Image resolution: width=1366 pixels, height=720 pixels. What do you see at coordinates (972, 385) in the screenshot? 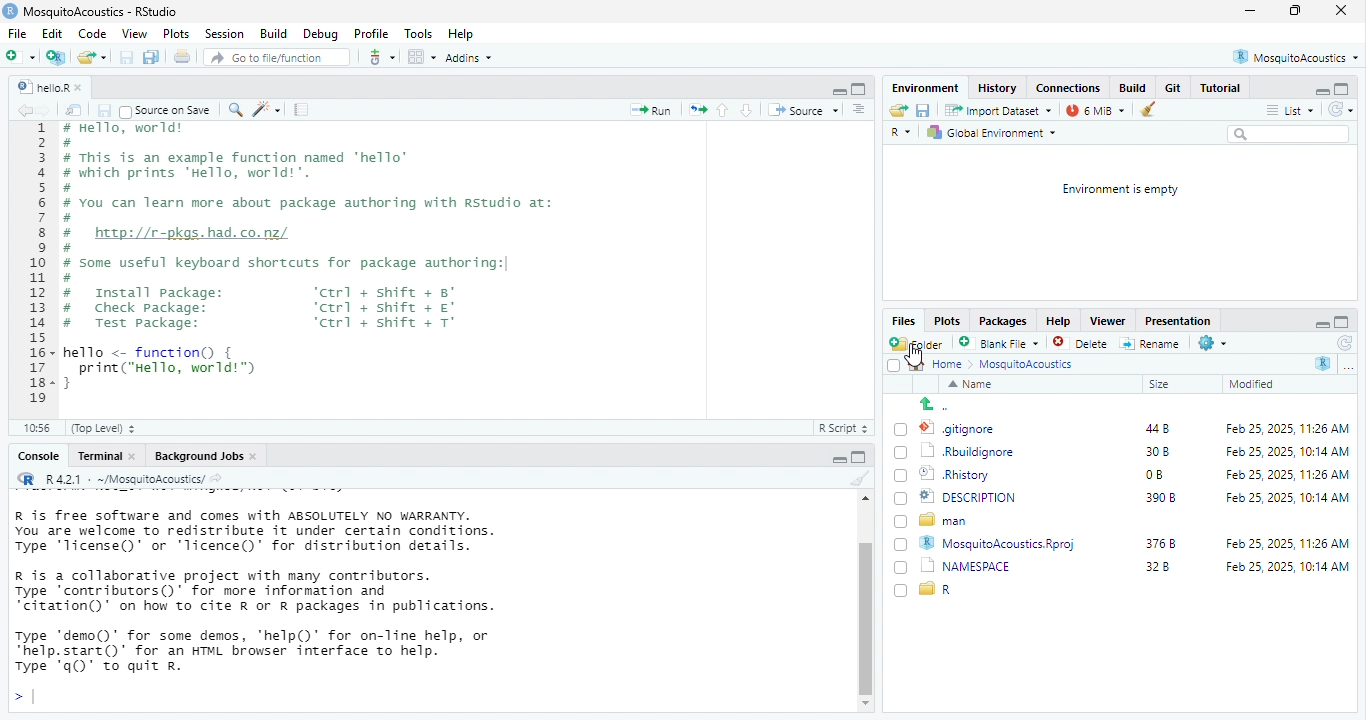
I see `name` at bounding box center [972, 385].